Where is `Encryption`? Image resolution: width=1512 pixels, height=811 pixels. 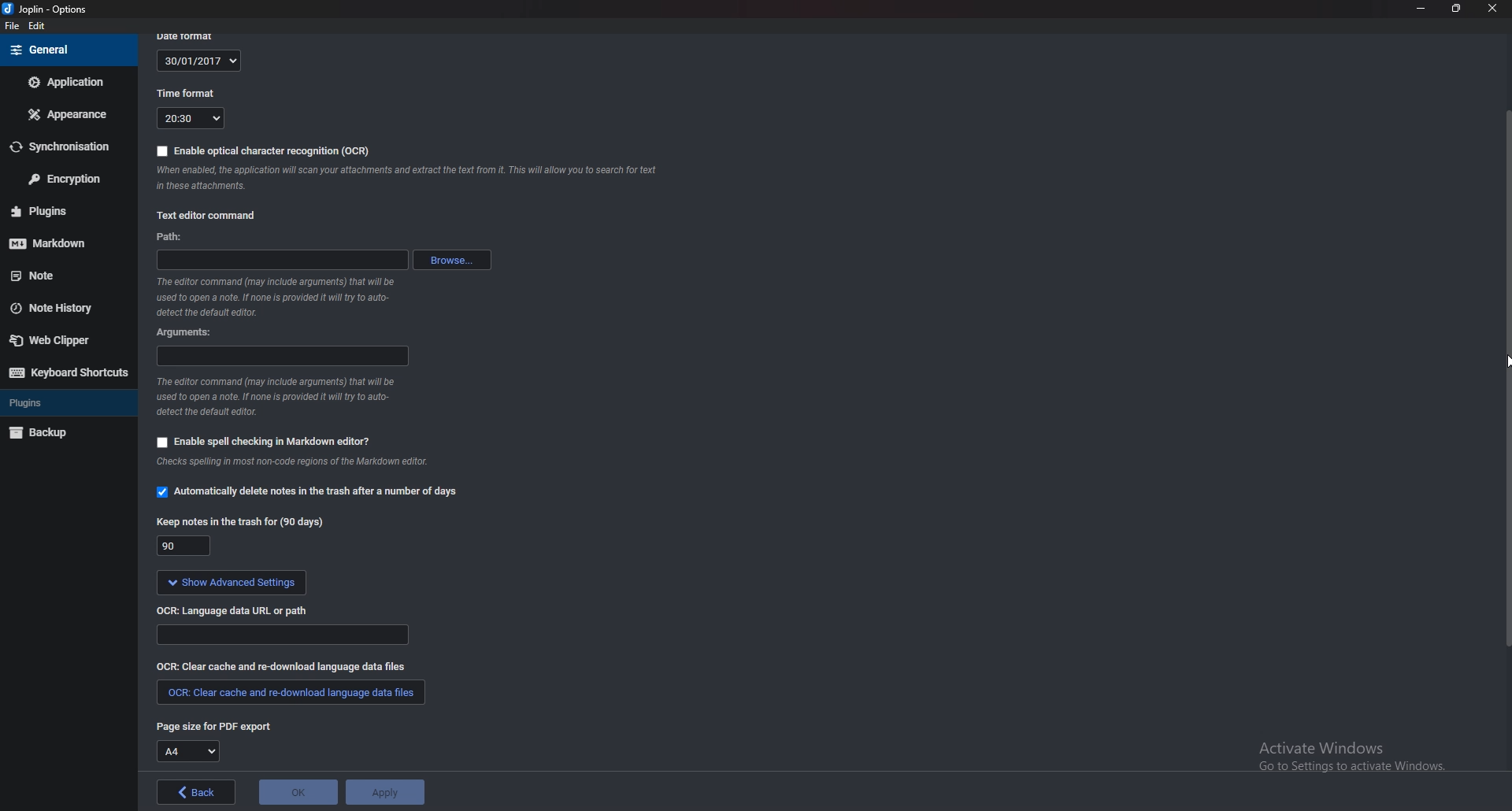 Encryption is located at coordinates (61, 180).